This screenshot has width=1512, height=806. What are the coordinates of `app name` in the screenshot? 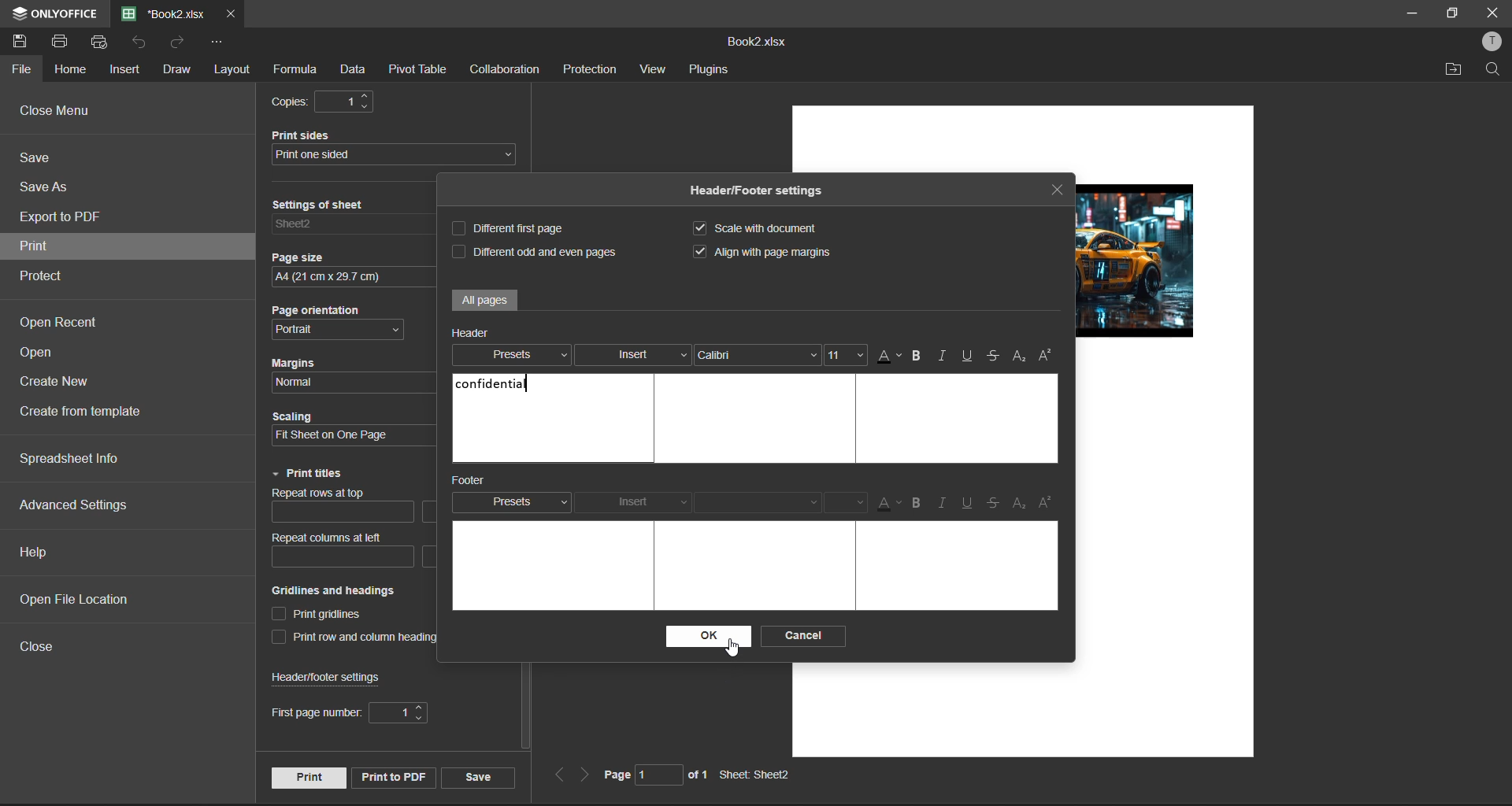 It's located at (52, 11).